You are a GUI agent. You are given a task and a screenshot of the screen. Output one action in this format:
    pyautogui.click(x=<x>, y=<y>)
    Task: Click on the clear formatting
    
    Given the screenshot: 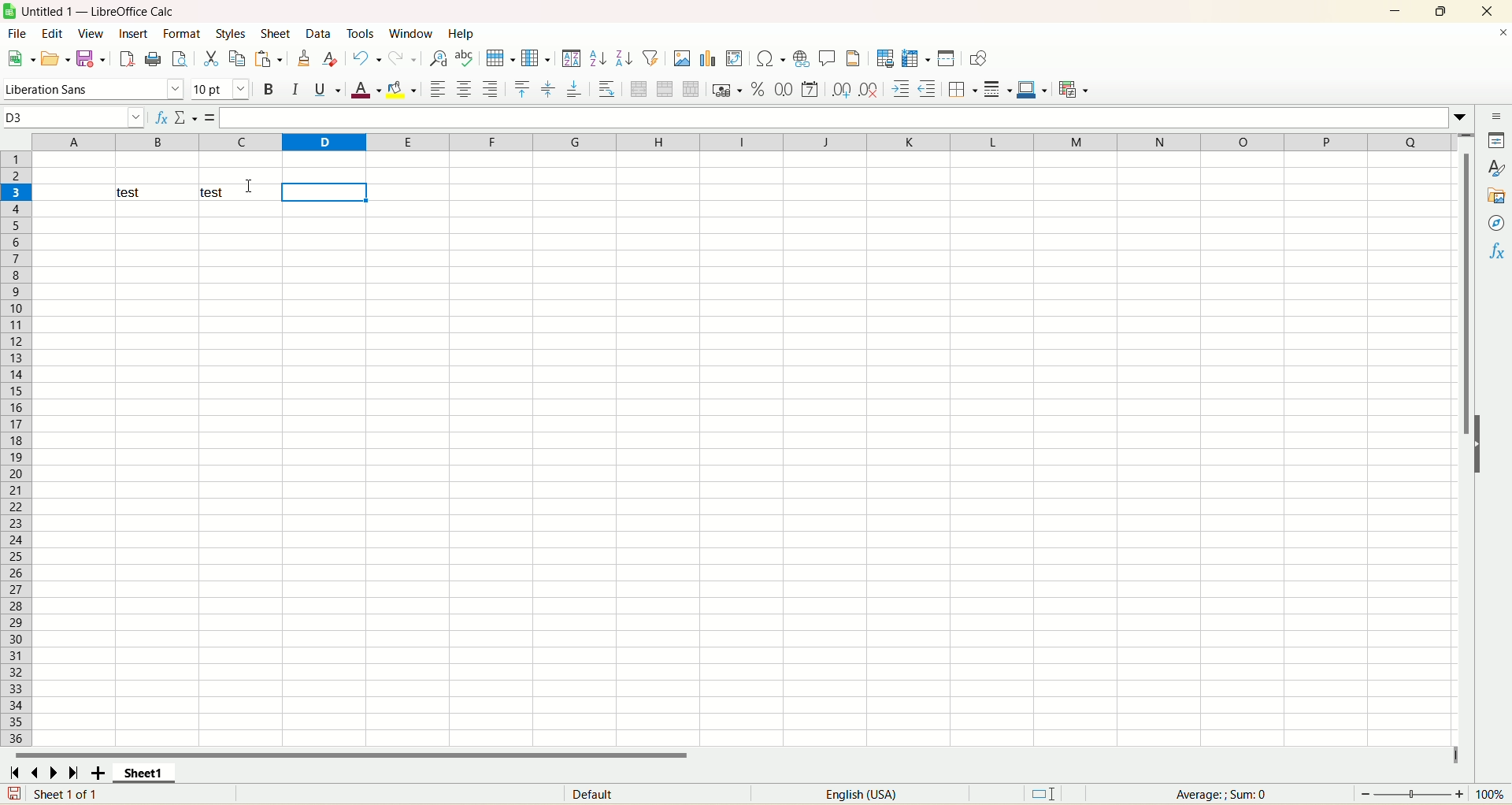 What is the action you would take?
    pyautogui.click(x=331, y=57)
    